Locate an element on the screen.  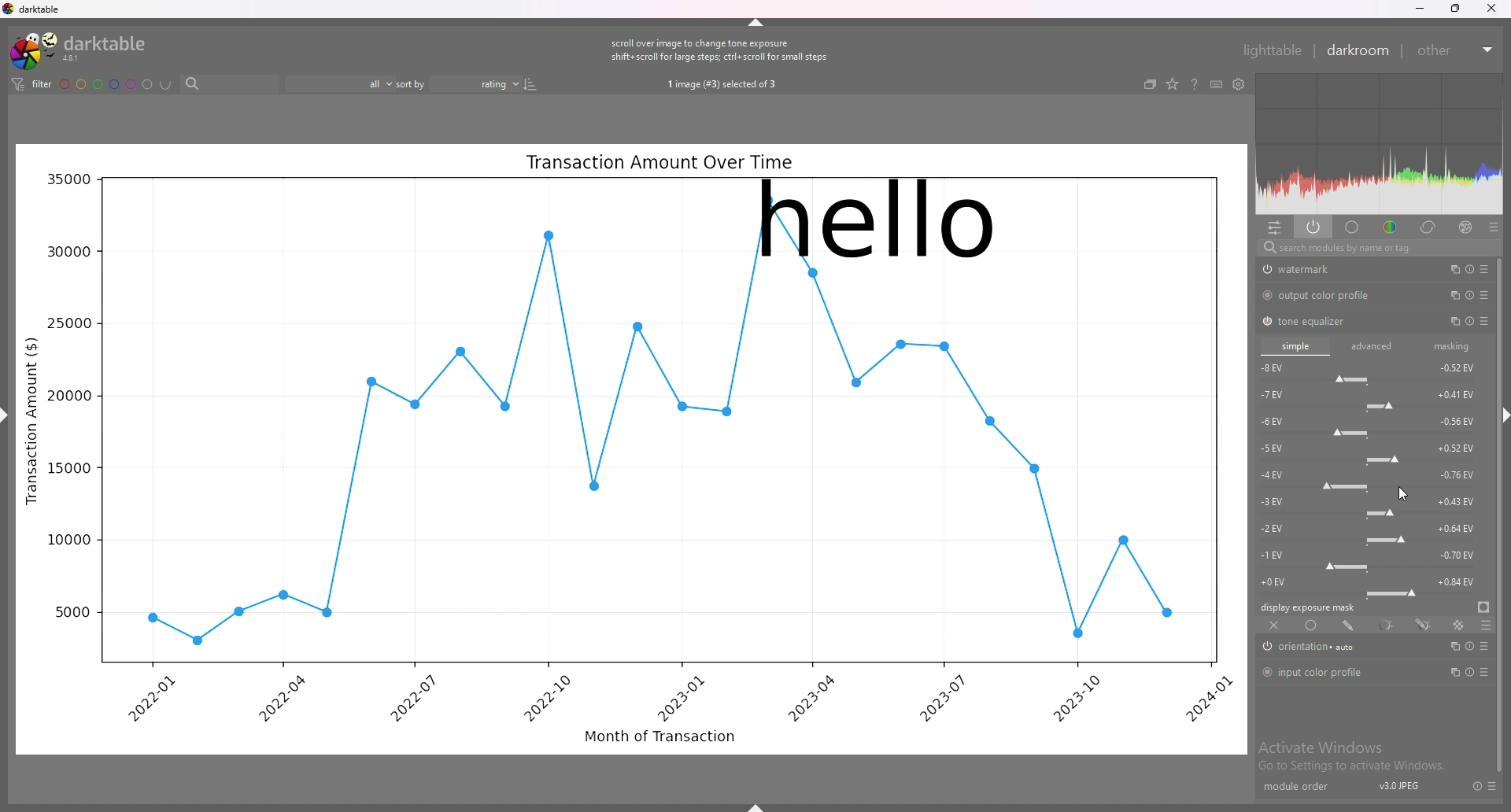
heat map is located at coordinates (1380, 143).